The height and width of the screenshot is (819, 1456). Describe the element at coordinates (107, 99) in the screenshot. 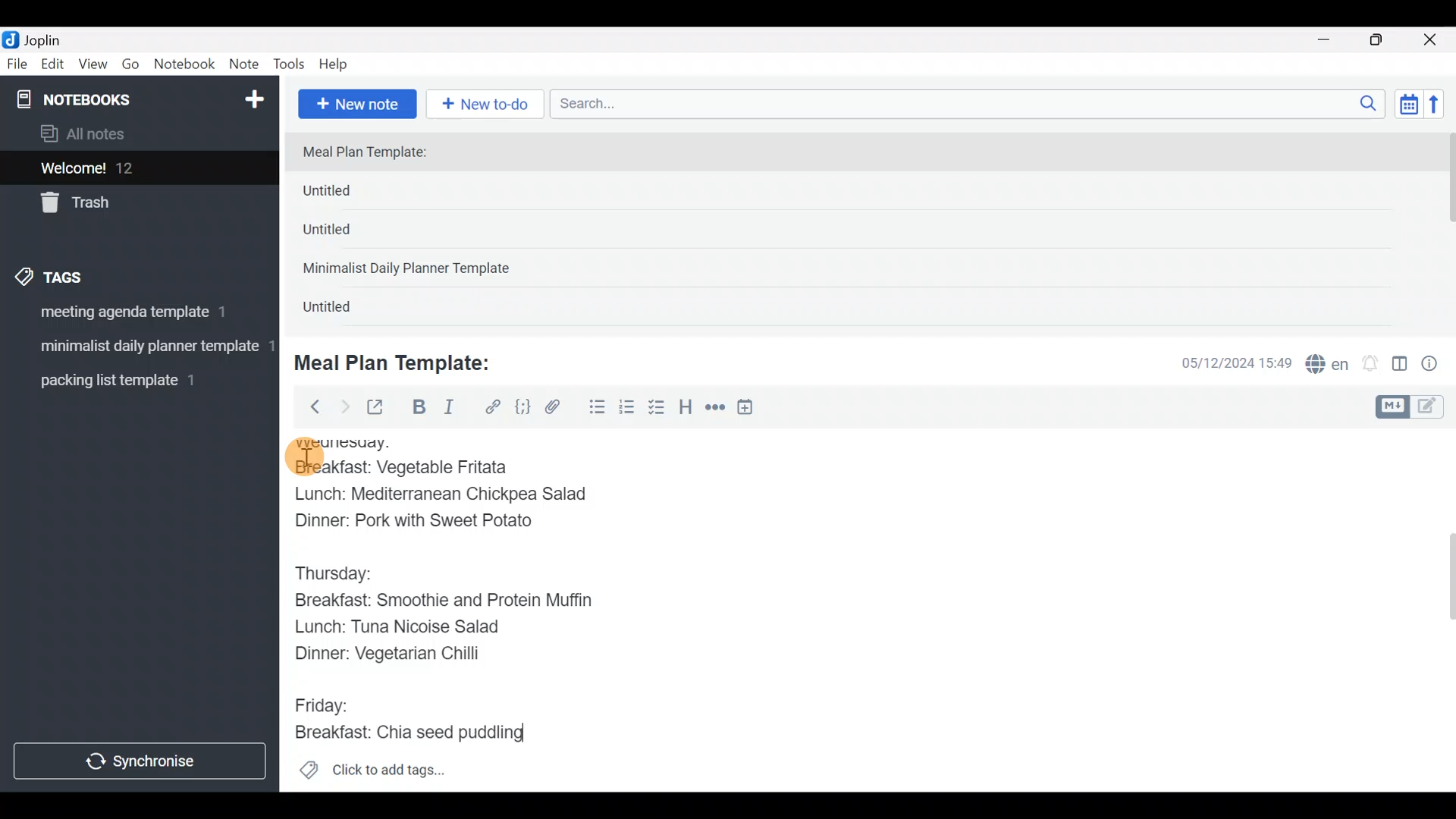

I see `Notebooks` at that location.